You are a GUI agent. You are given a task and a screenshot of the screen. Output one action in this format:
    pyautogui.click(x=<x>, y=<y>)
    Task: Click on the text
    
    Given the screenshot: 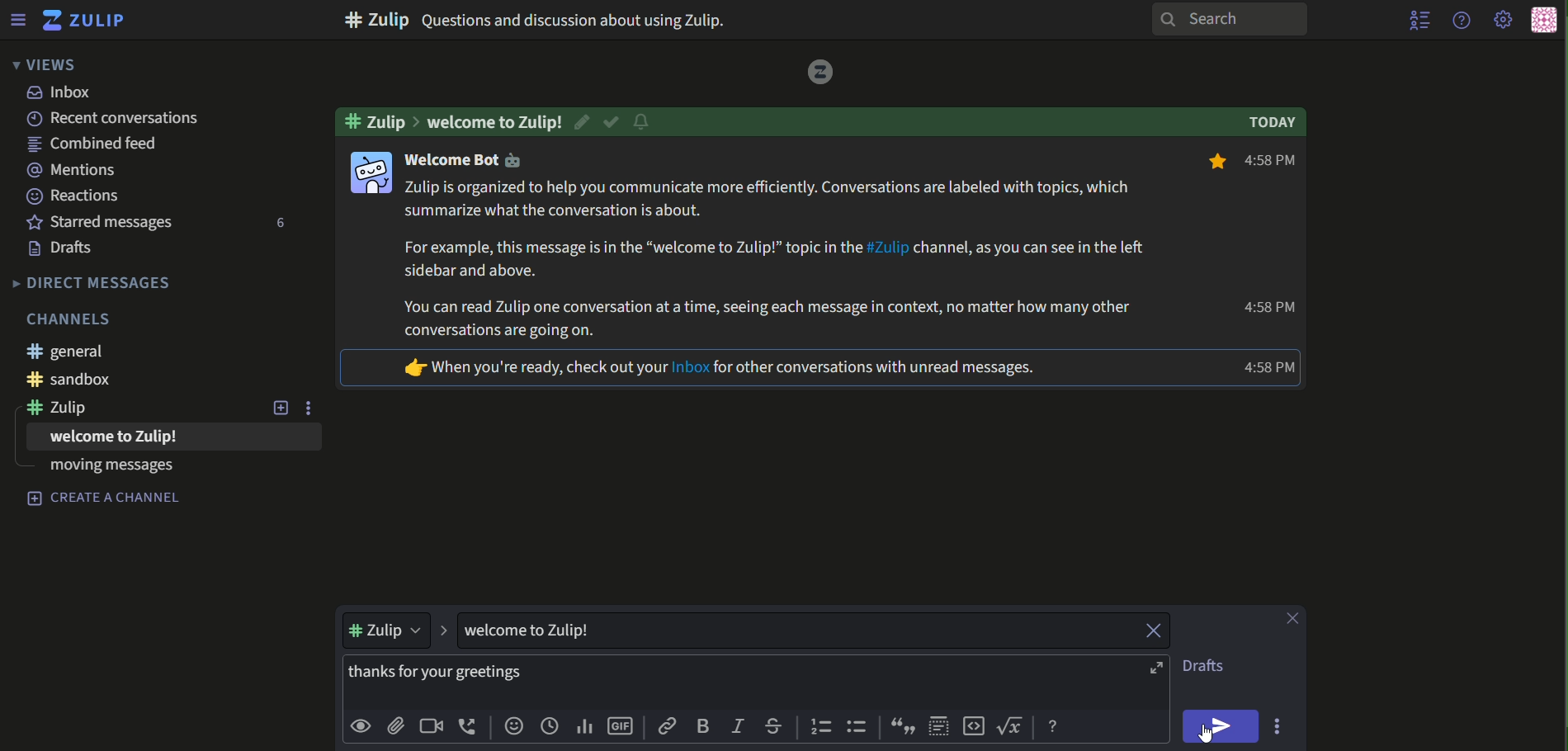 What is the action you would take?
    pyautogui.click(x=381, y=120)
    